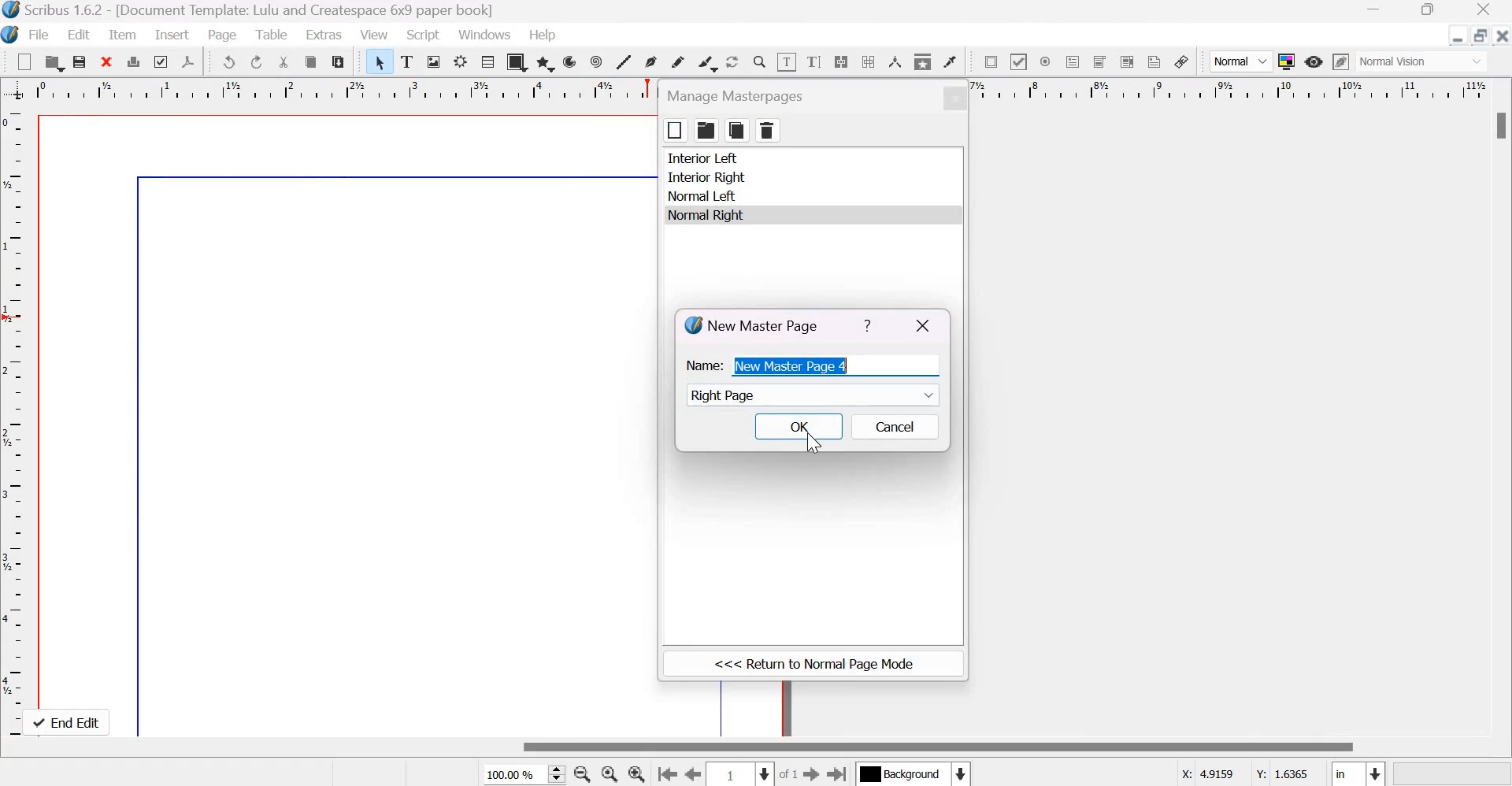  Describe the element at coordinates (1209, 774) in the screenshot. I see `X coordinates` at that location.